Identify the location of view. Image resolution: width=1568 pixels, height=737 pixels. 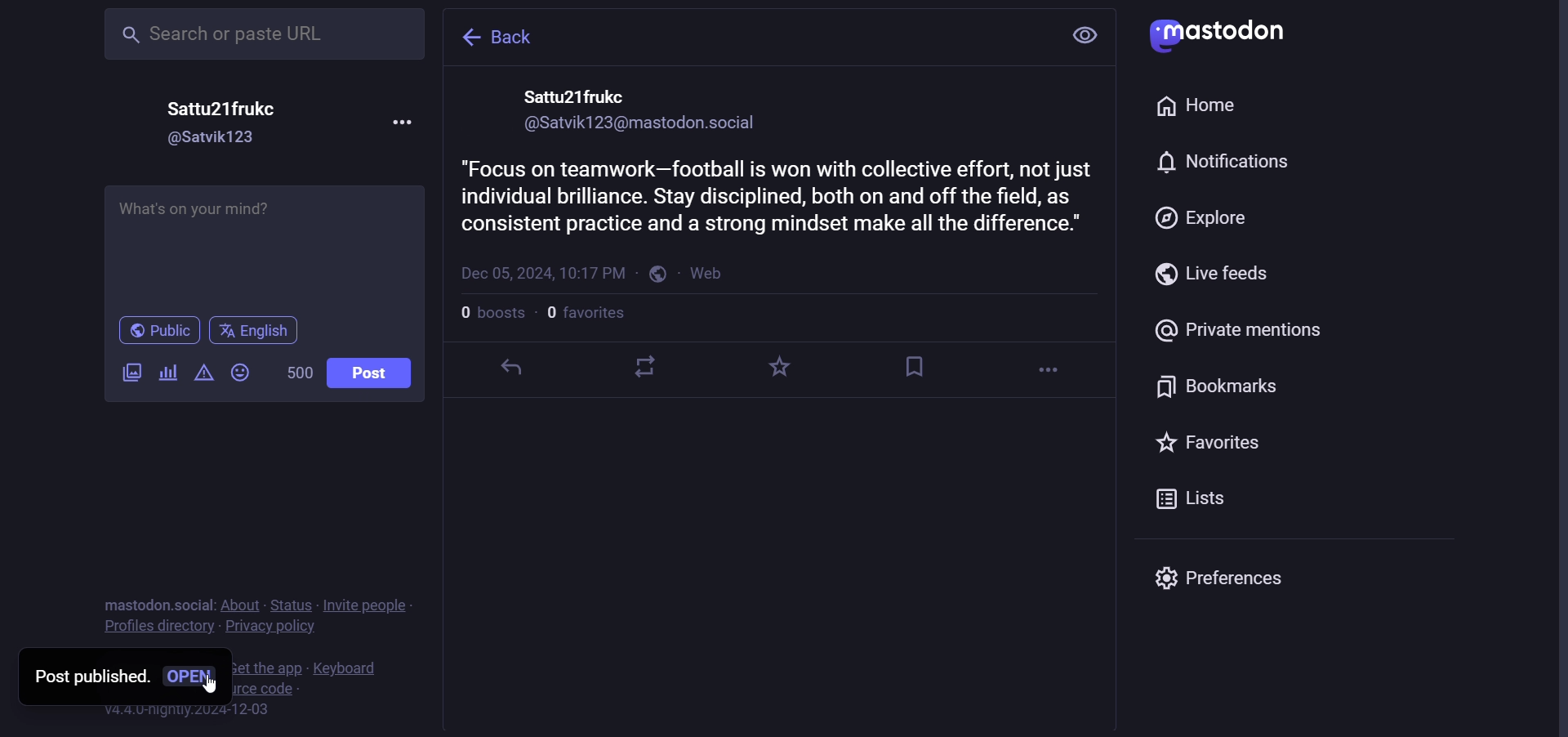
(1088, 37).